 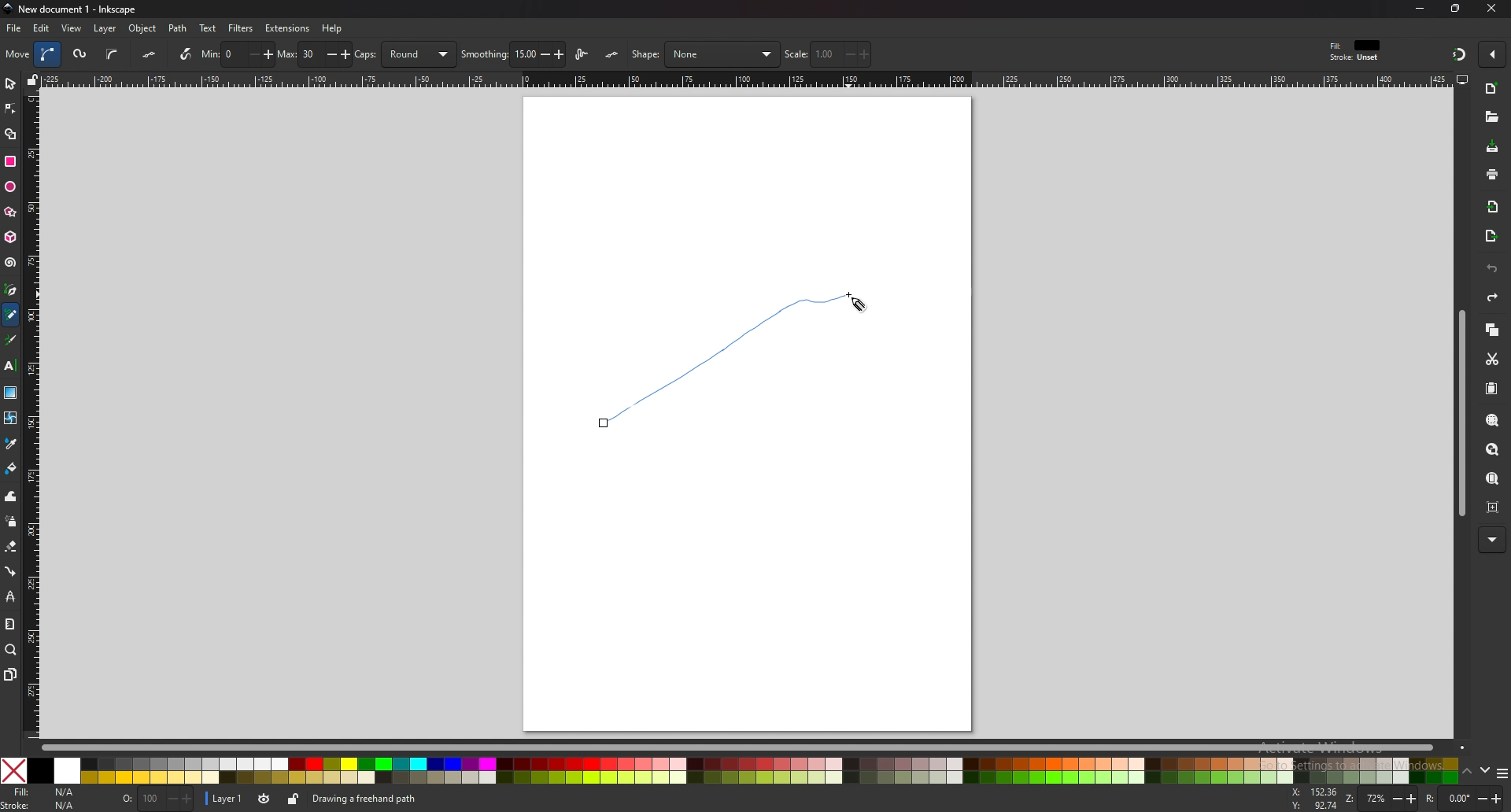 I want to click on scroll bar, so click(x=1461, y=414).